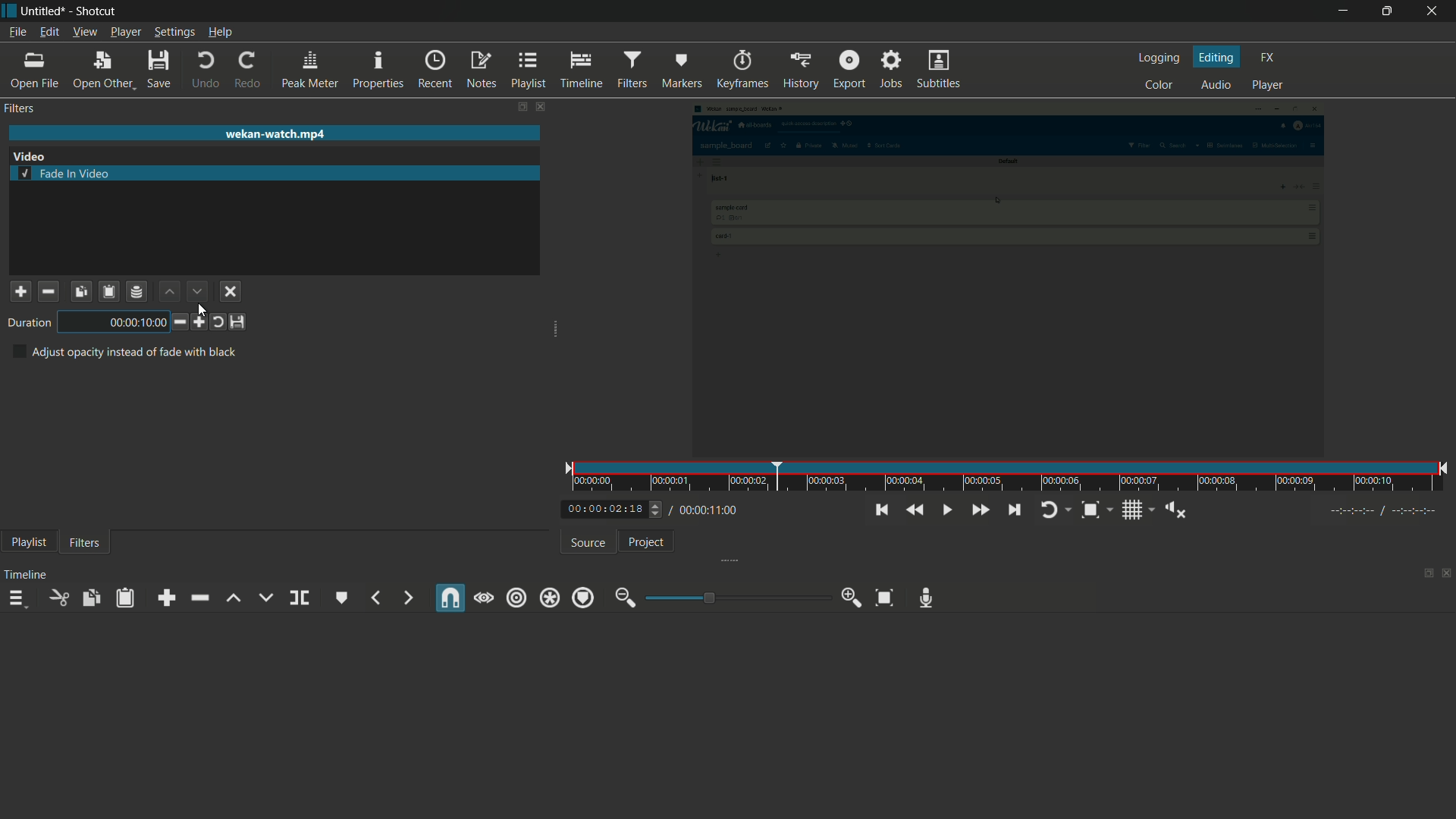 The height and width of the screenshot is (819, 1456). Describe the element at coordinates (9, 11) in the screenshot. I see `app icon` at that location.